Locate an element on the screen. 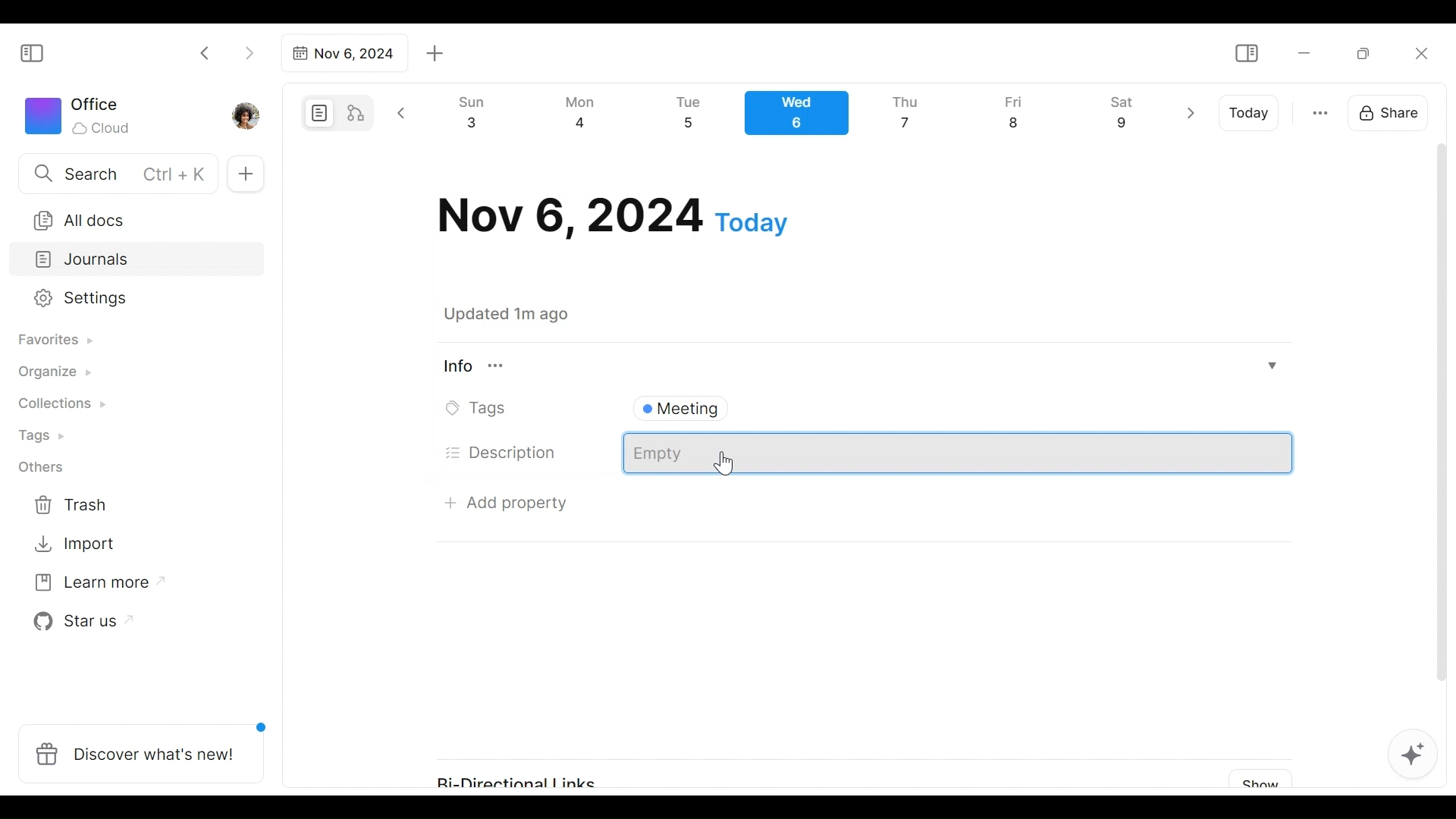  cursor is located at coordinates (726, 464).